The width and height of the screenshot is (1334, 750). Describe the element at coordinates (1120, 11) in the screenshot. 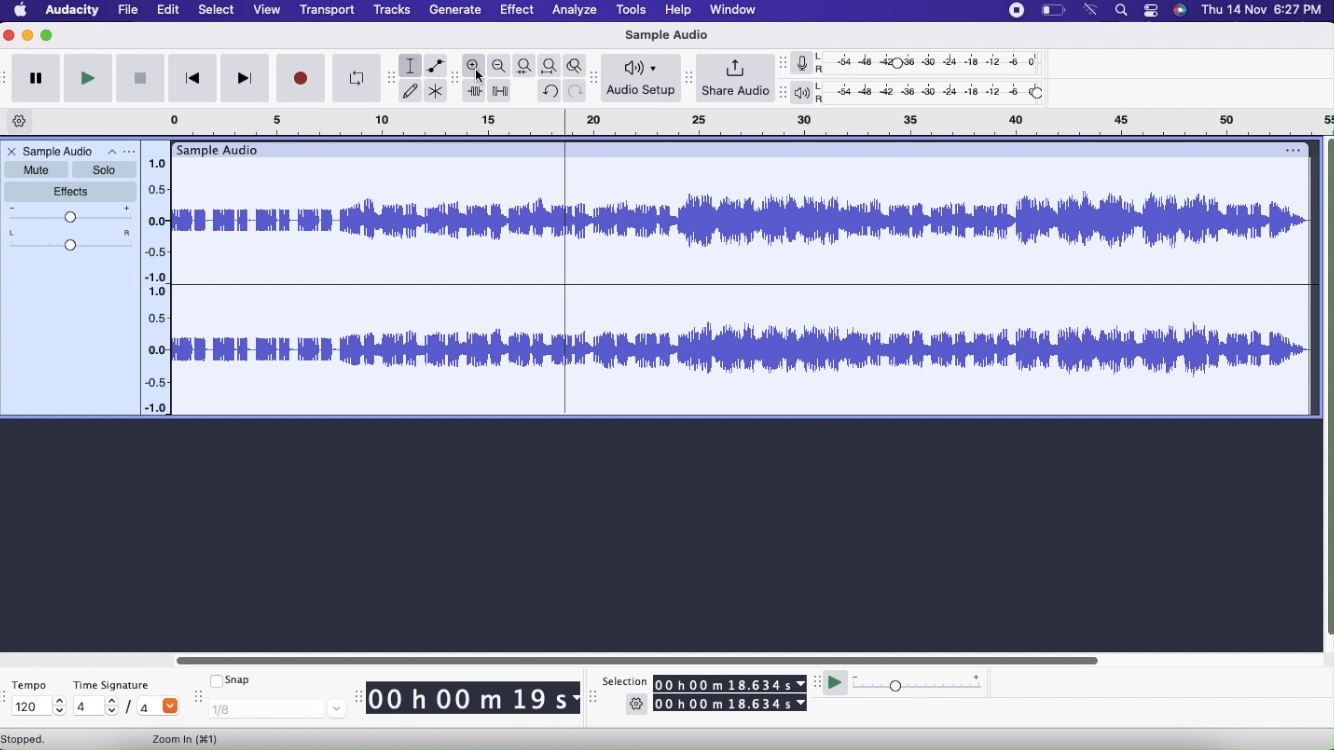

I see `search` at that location.